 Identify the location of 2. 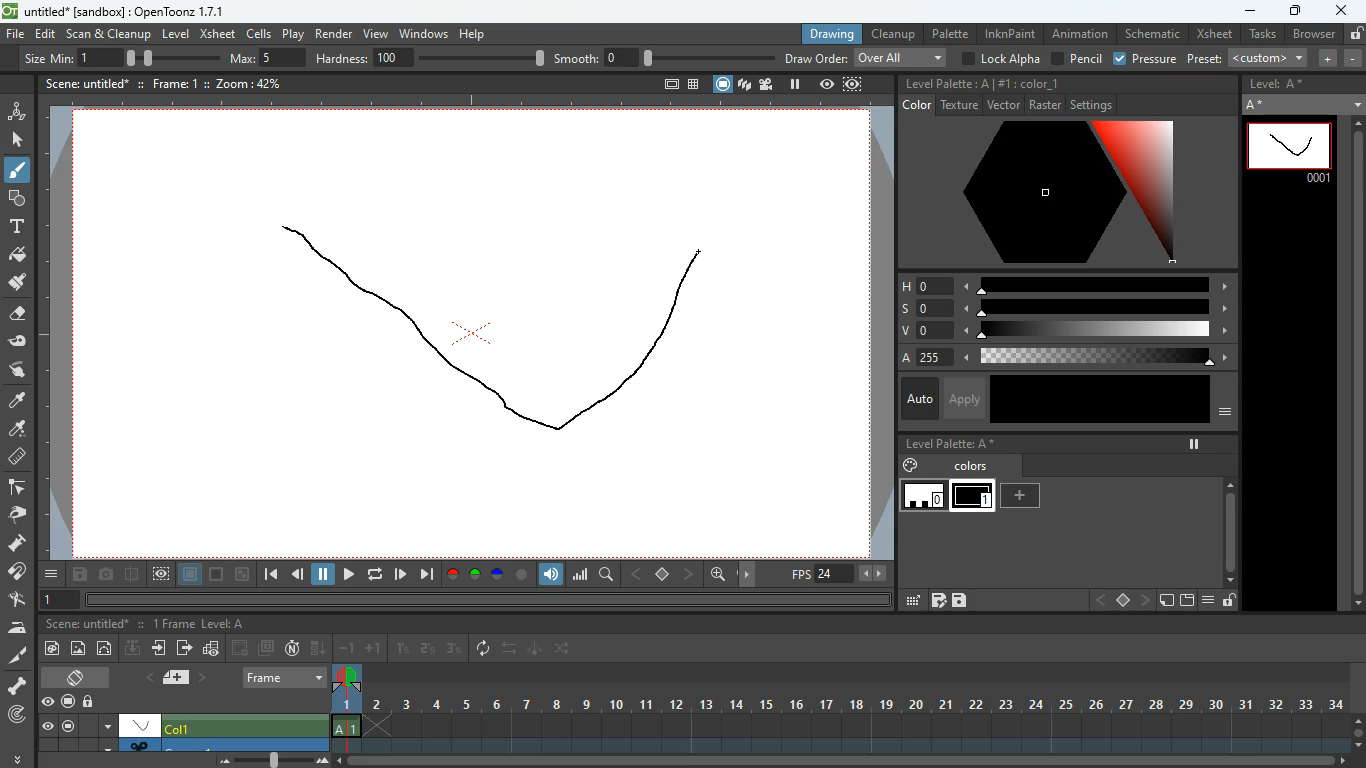
(428, 649).